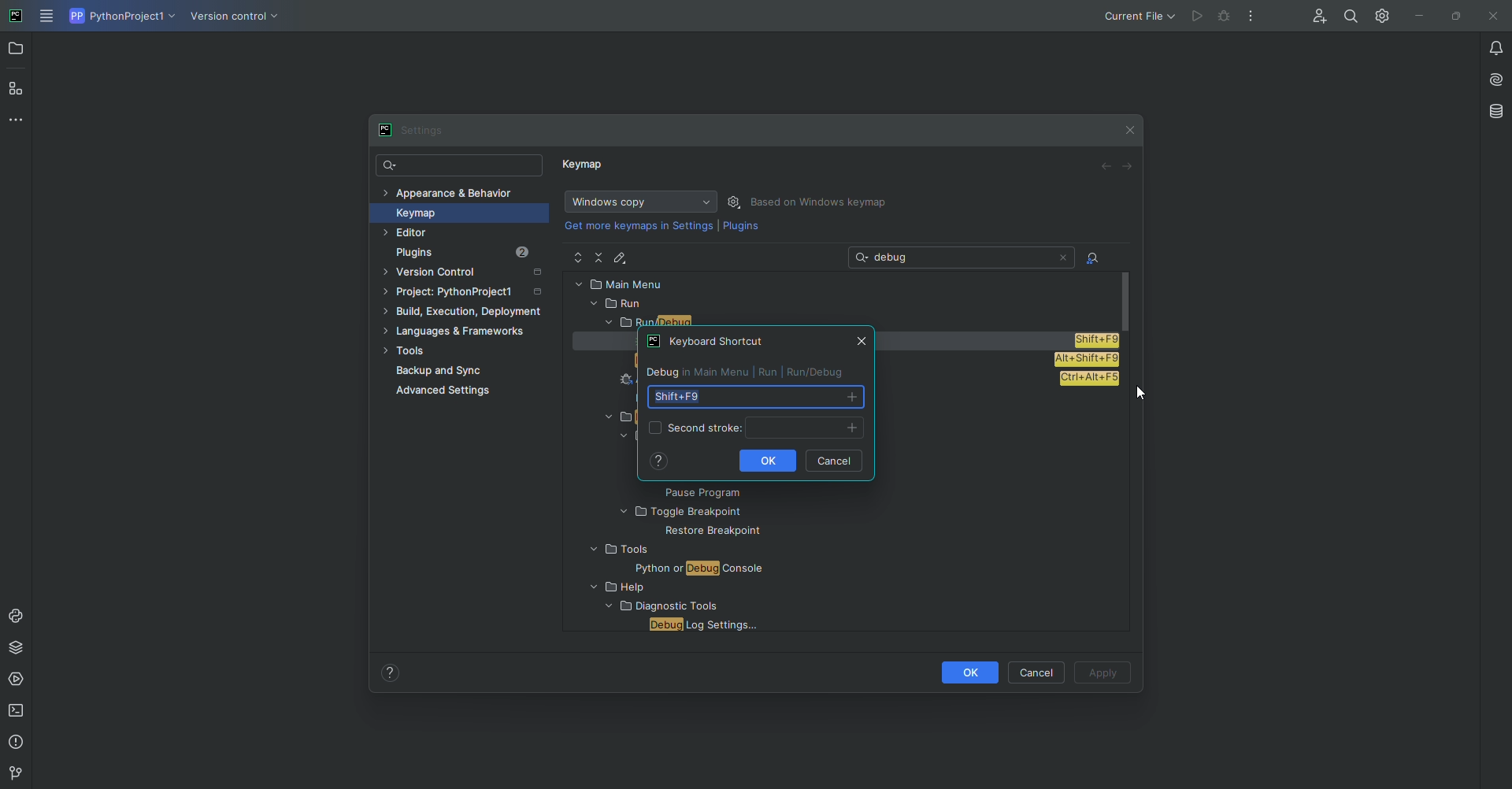 This screenshot has height=789, width=1512. What do you see at coordinates (474, 253) in the screenshot?
I see `Plugins` at bounding box center [474, 253].